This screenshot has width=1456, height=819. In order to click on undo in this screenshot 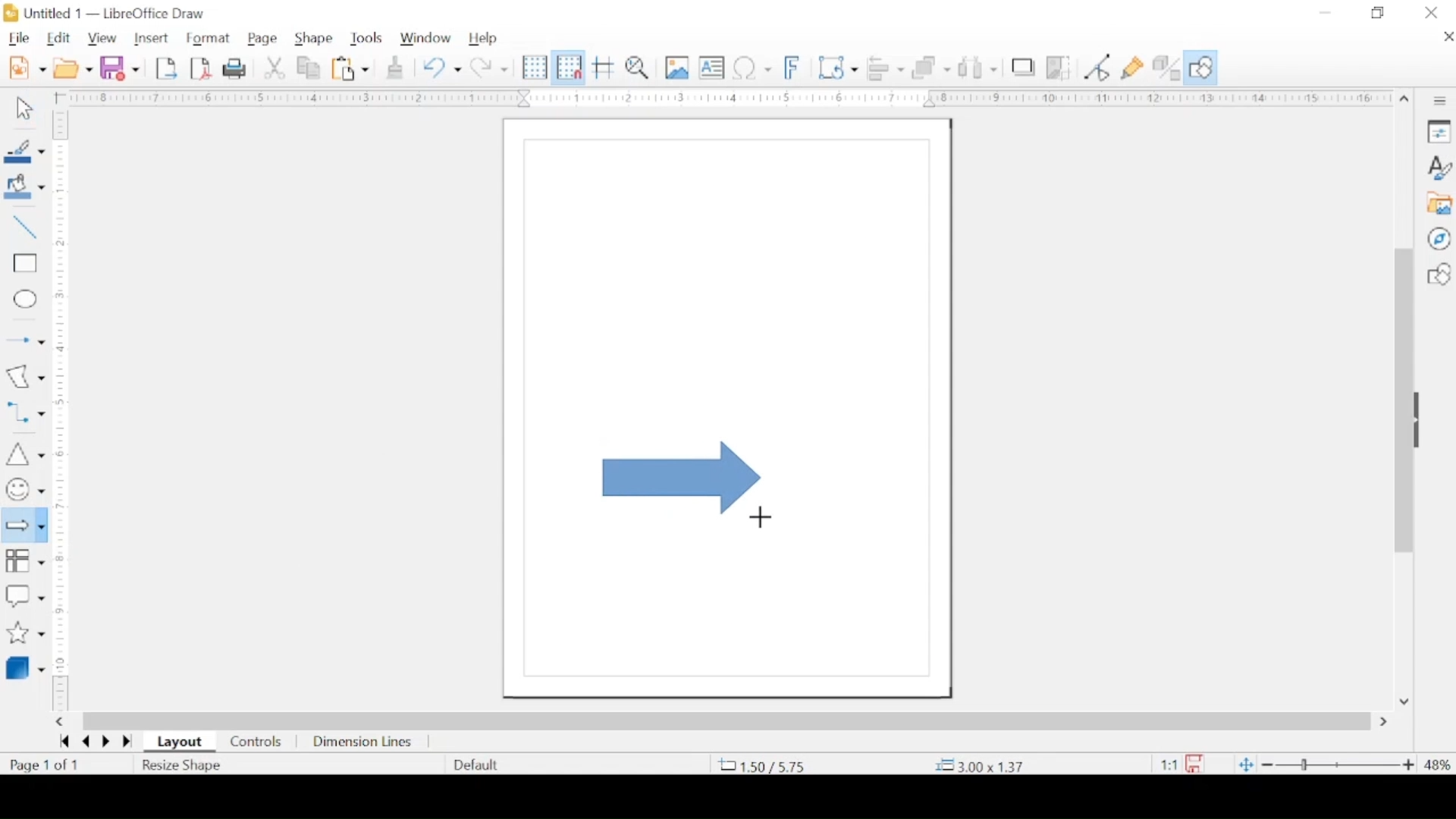, I will do `click(442, 67)`.